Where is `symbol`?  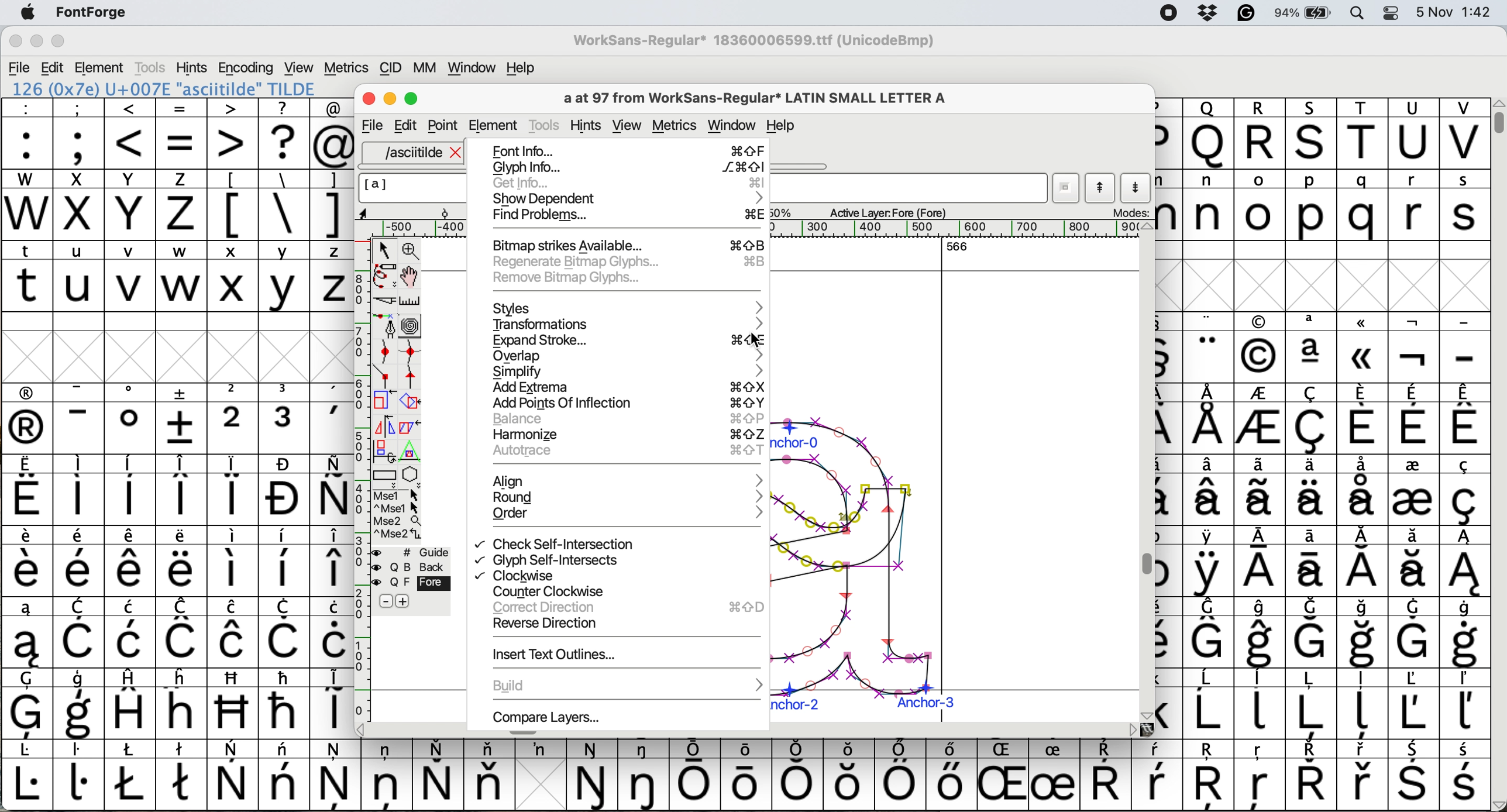 symbol is located at coordinates (332, 701).